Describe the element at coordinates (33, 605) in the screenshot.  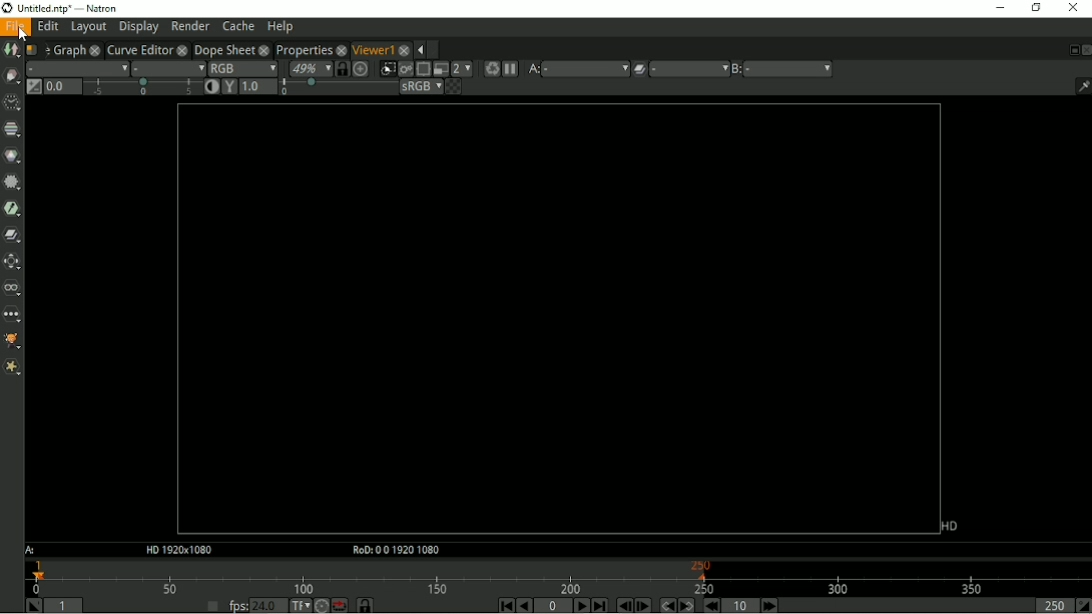
I see `Set playback in point` at that location.